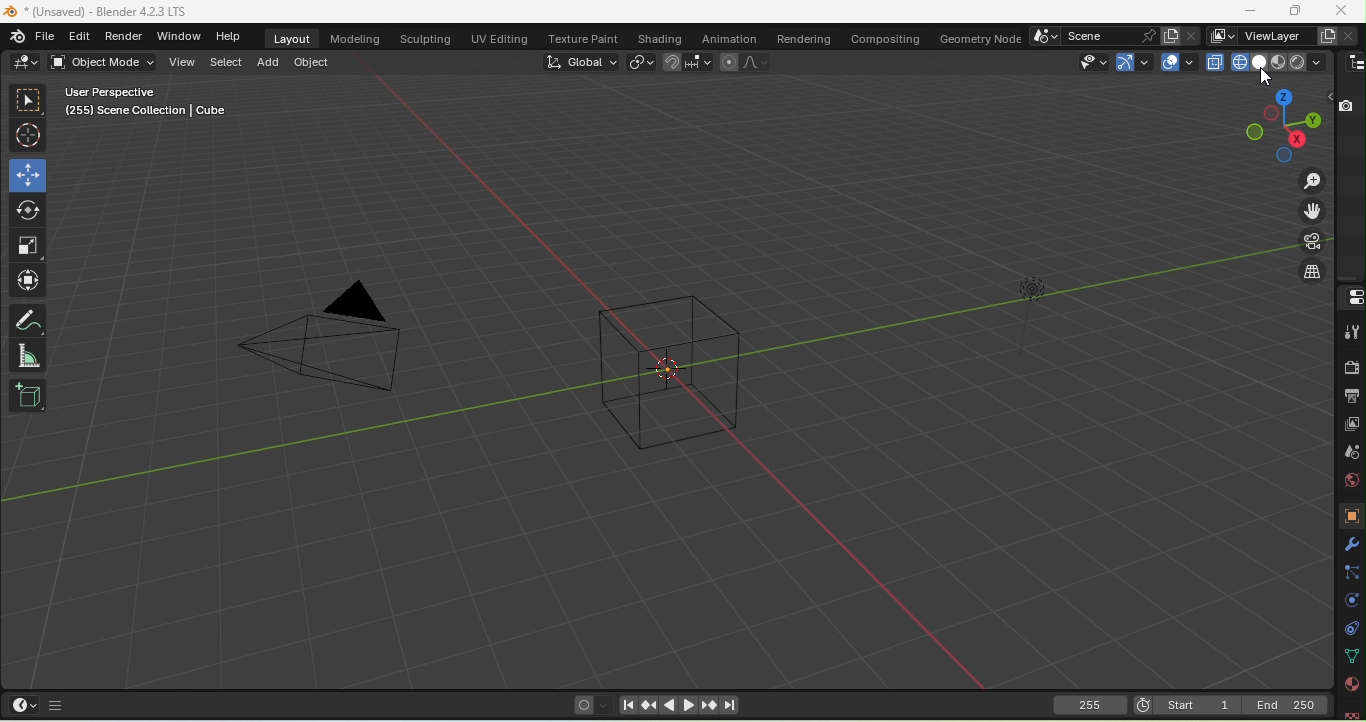  What do you see at coordinates (27, 356) in the screenshot?
I see `Measure` at bounding box center [27, 356].